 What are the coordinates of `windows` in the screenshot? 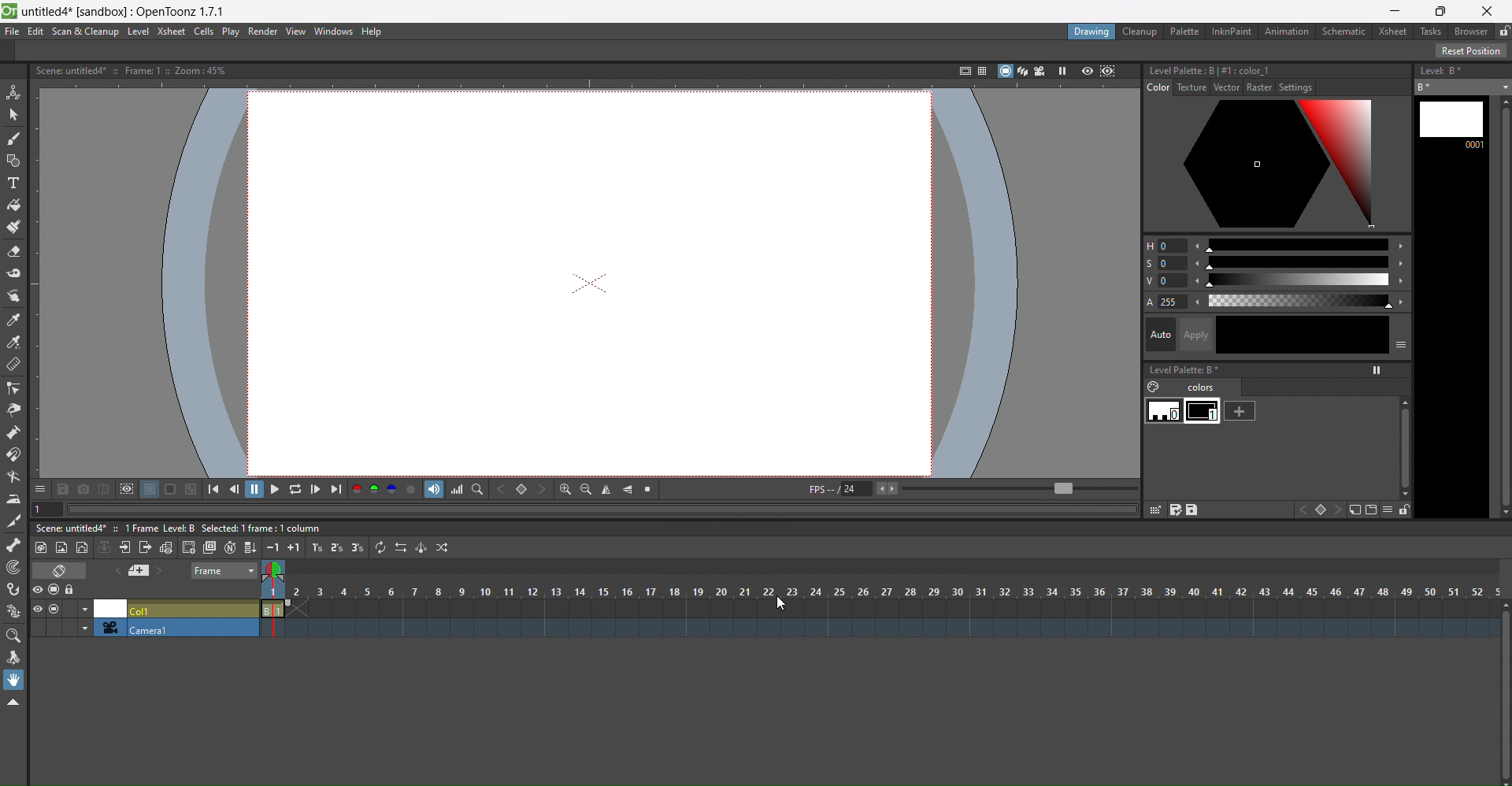 It's located at (335, 32).